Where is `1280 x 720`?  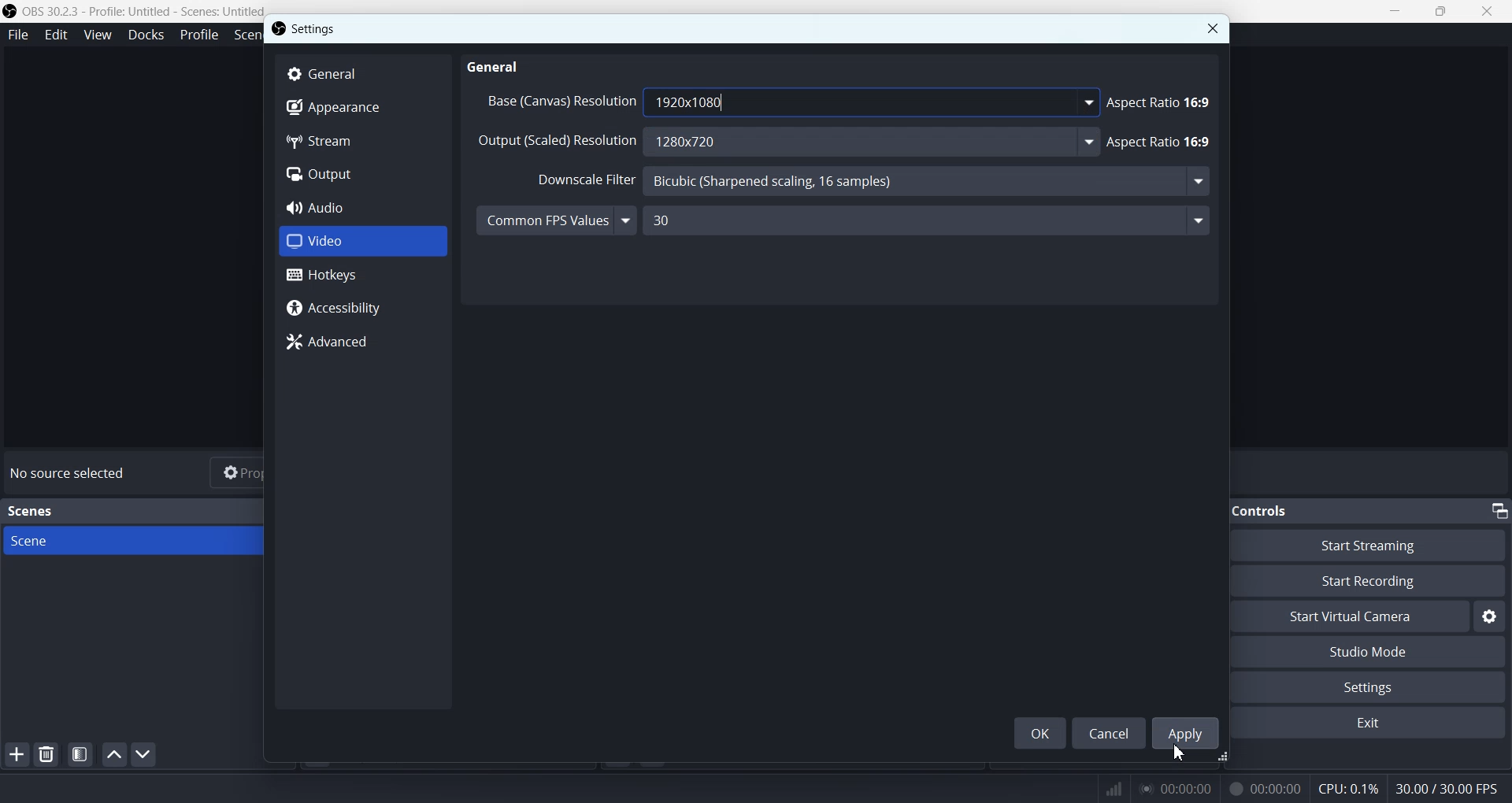
1280 x 720 is located at coordinates (874, 142).